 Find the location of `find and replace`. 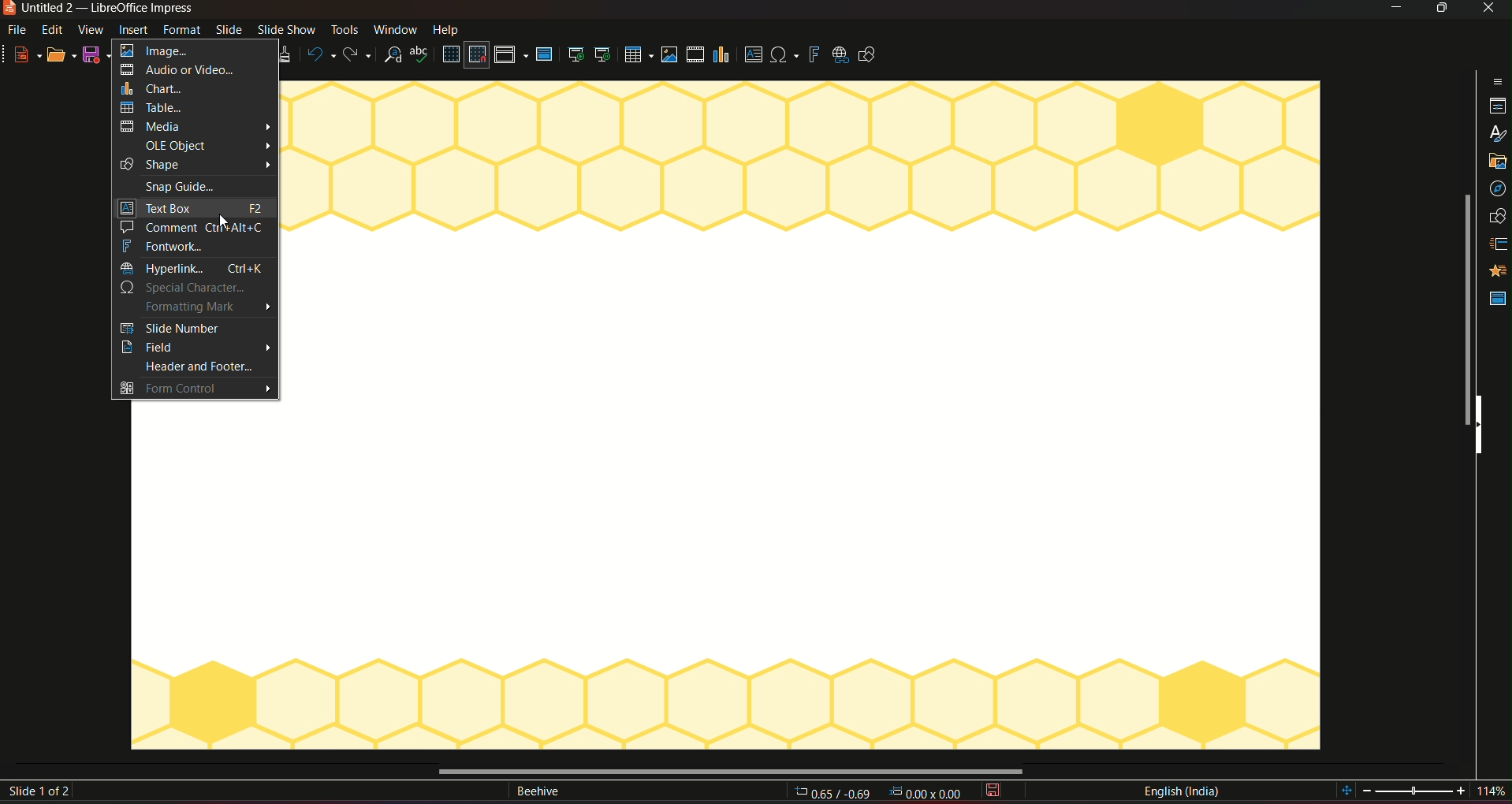

find and replace is located at coordinates (394, 55).